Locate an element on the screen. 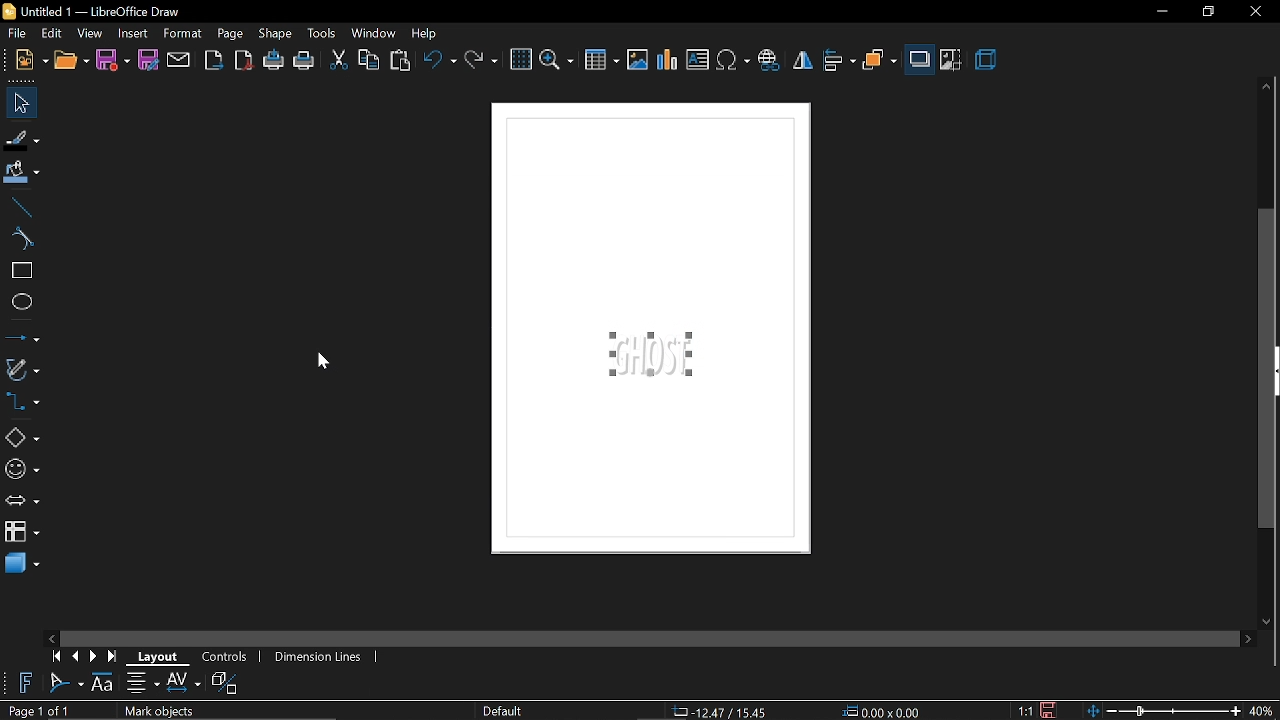  zoom scale is located at coordinates (1163, 711).